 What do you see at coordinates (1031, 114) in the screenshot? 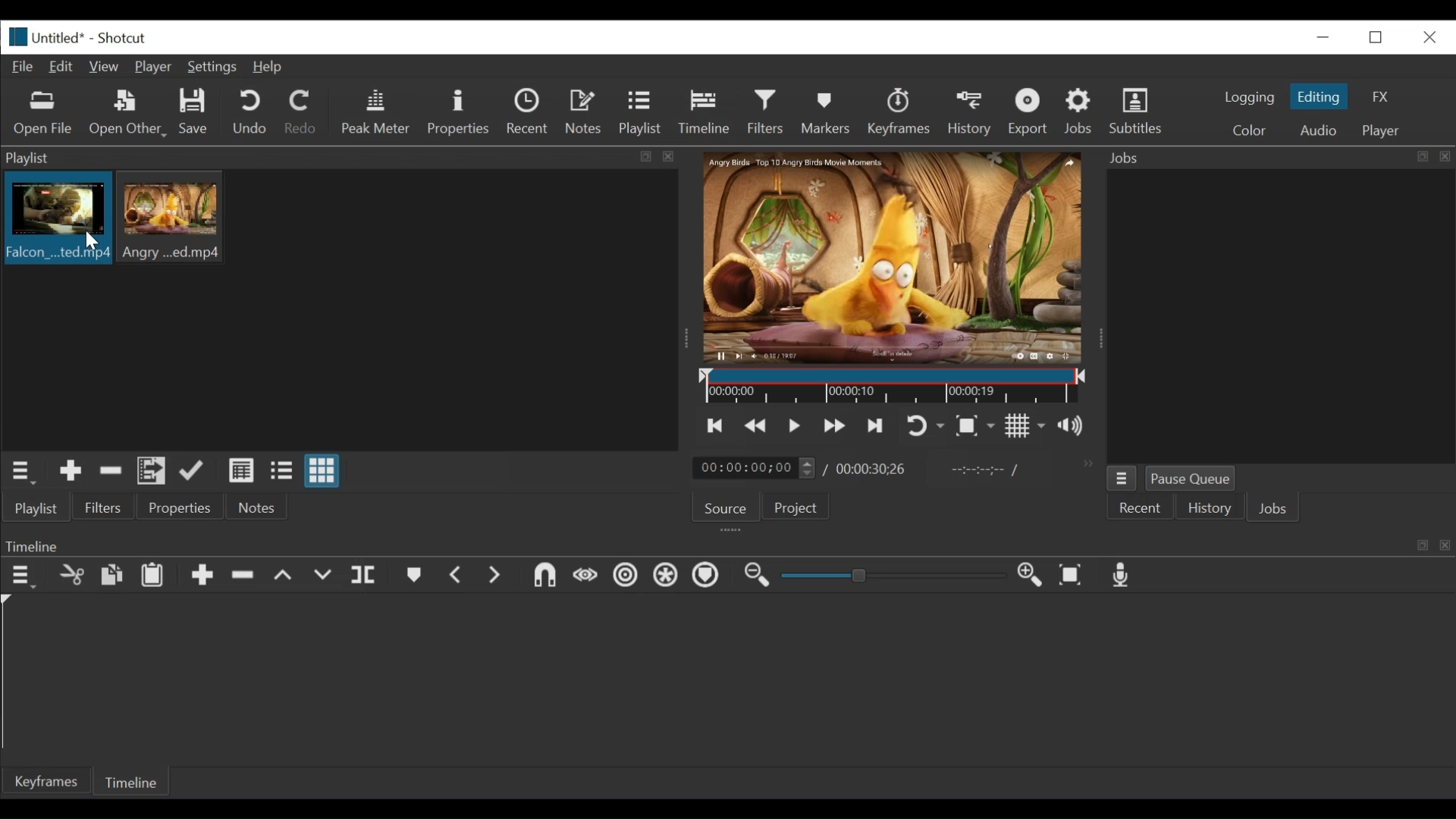
I see `Export` at bounding box center [1031, 114].